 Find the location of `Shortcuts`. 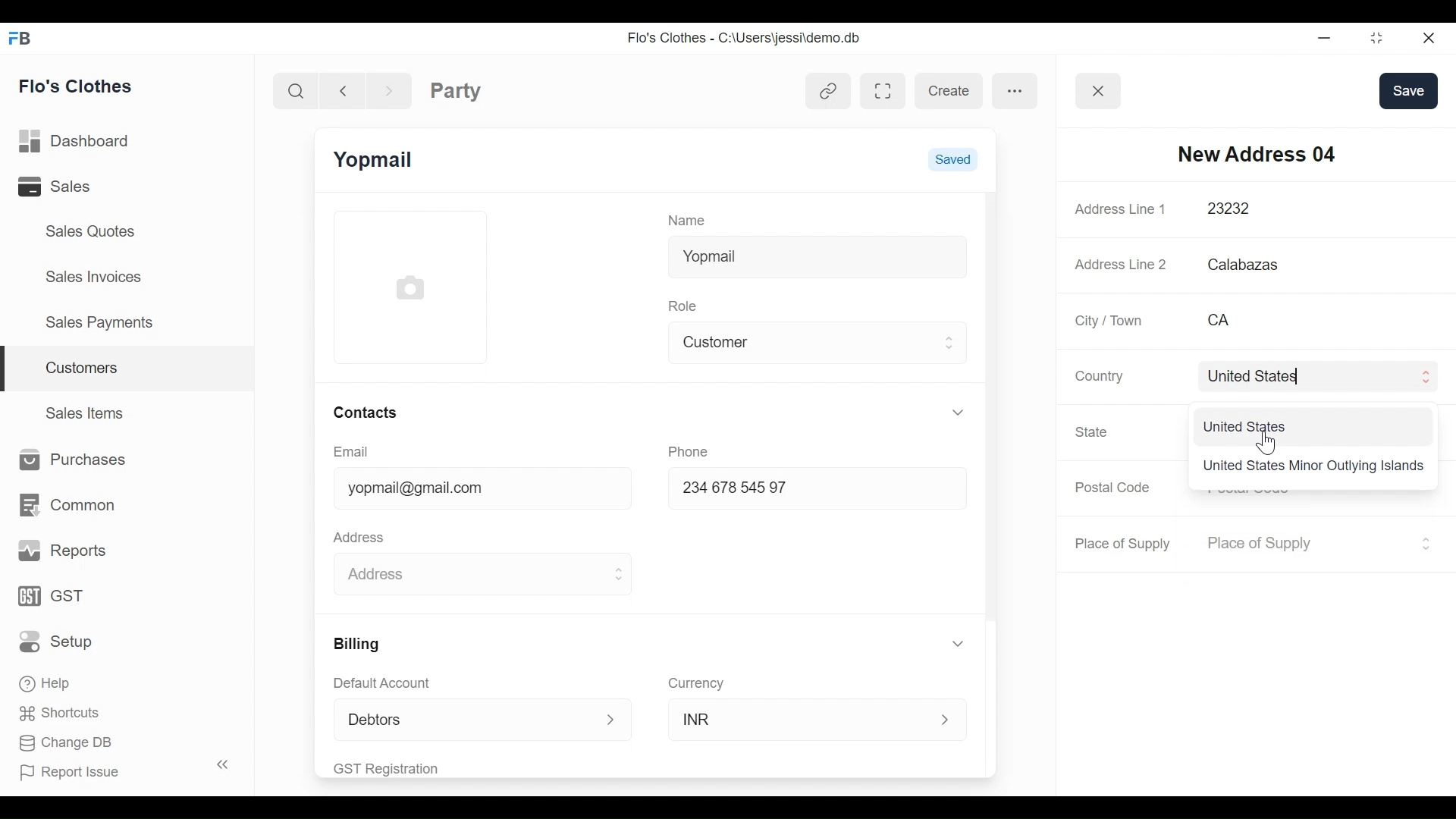

Shortcuts is located at coordinates (55, 712).